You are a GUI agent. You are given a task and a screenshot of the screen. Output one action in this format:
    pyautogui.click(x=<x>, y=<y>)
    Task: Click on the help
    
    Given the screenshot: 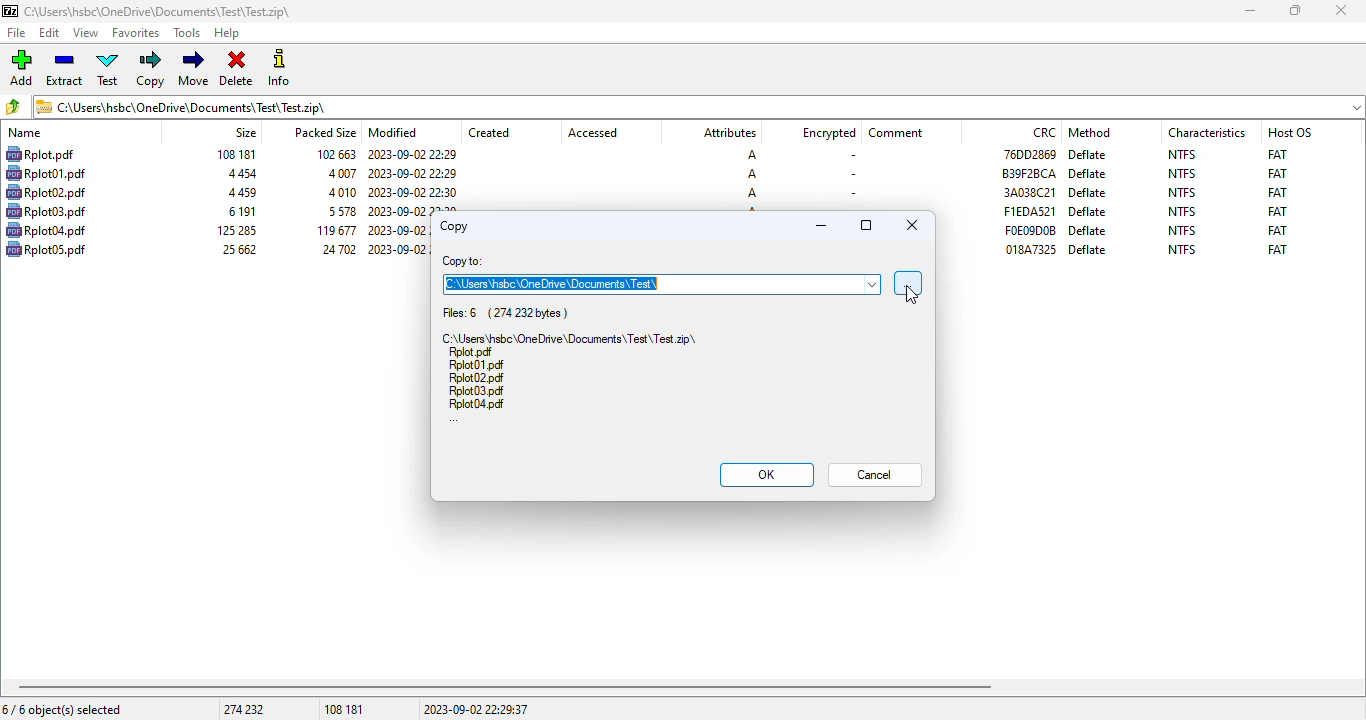 What is the action you would take?
    pyautogui.click(x=227, y=34)
    